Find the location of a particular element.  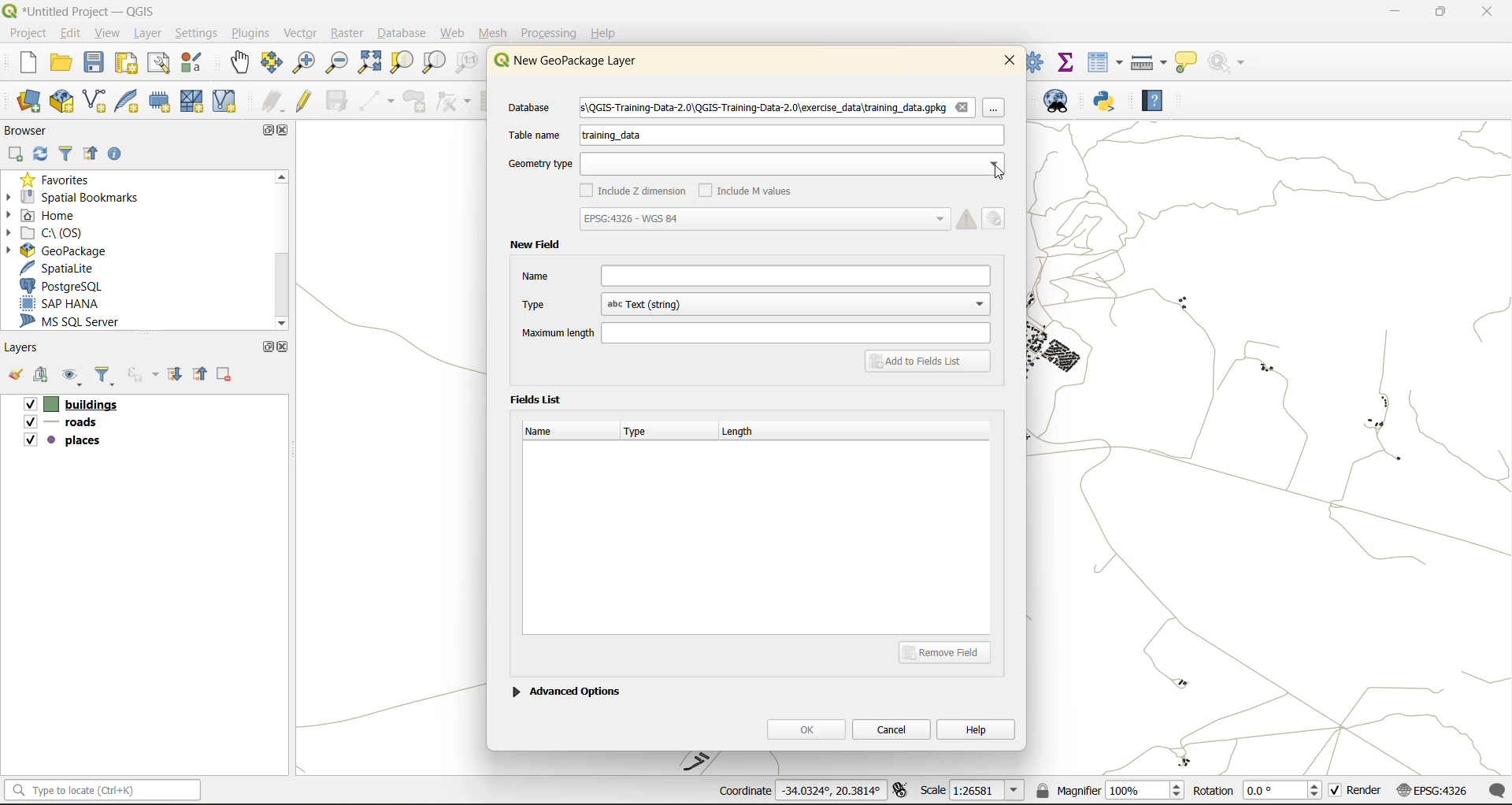

edits is located at coordinates (273, 102).